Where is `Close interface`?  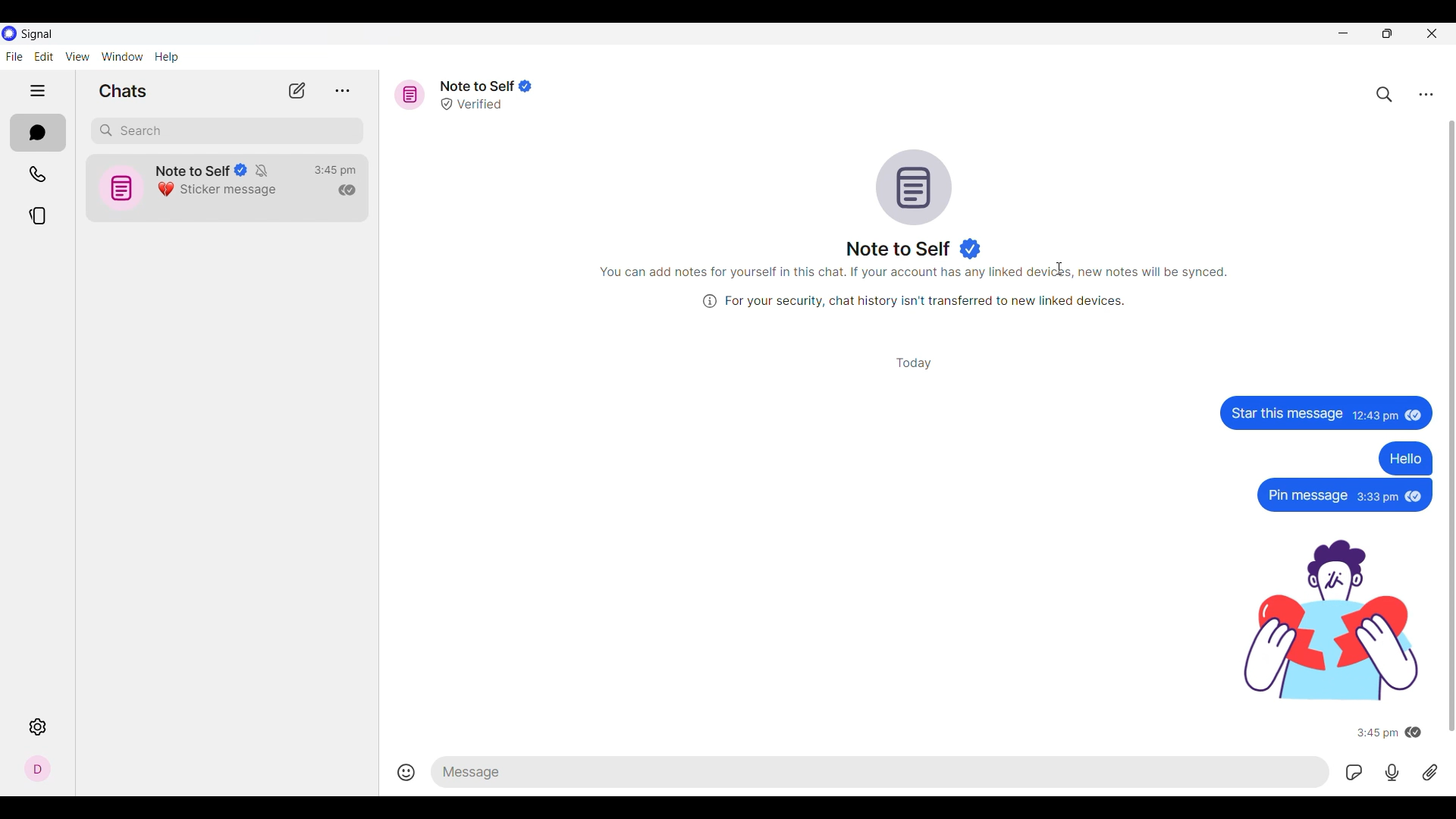
Close interface is located at coordinates (1434, 34).